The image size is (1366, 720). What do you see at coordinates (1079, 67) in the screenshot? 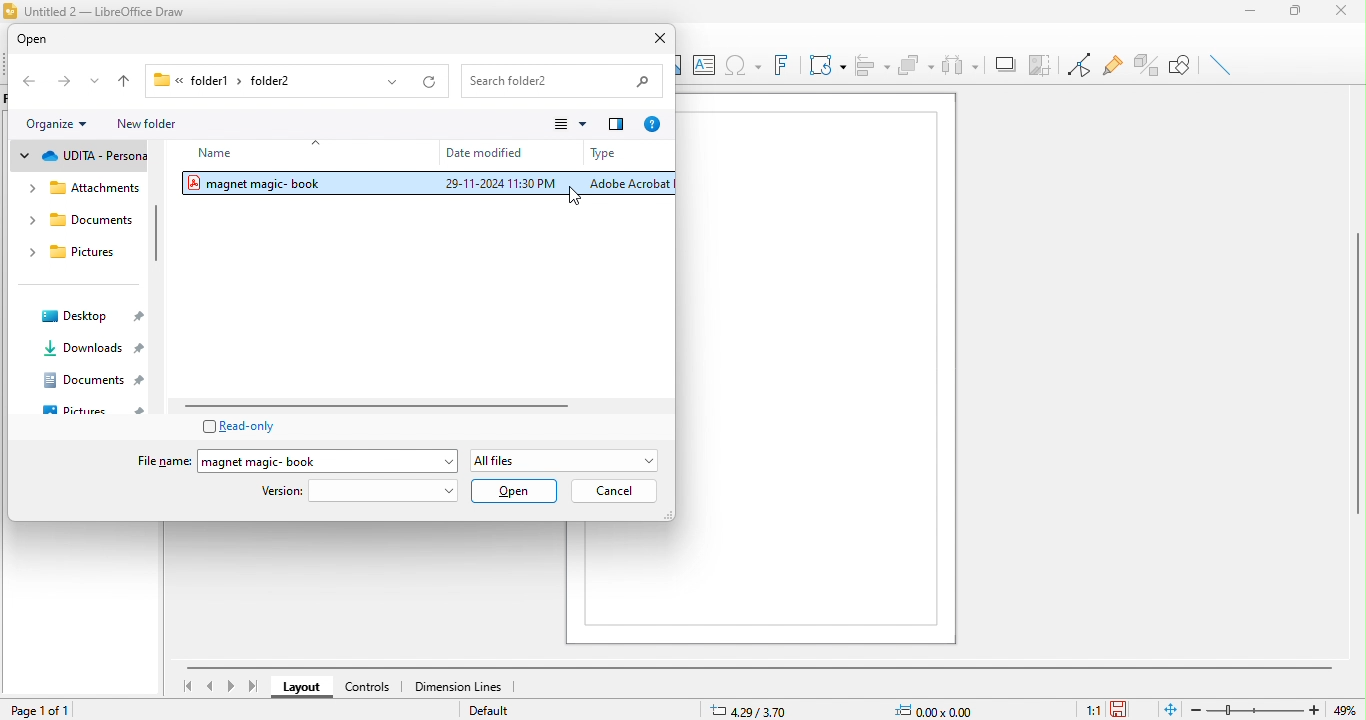
I see `toggle point edit mode` at bounding box center [1079, 67].